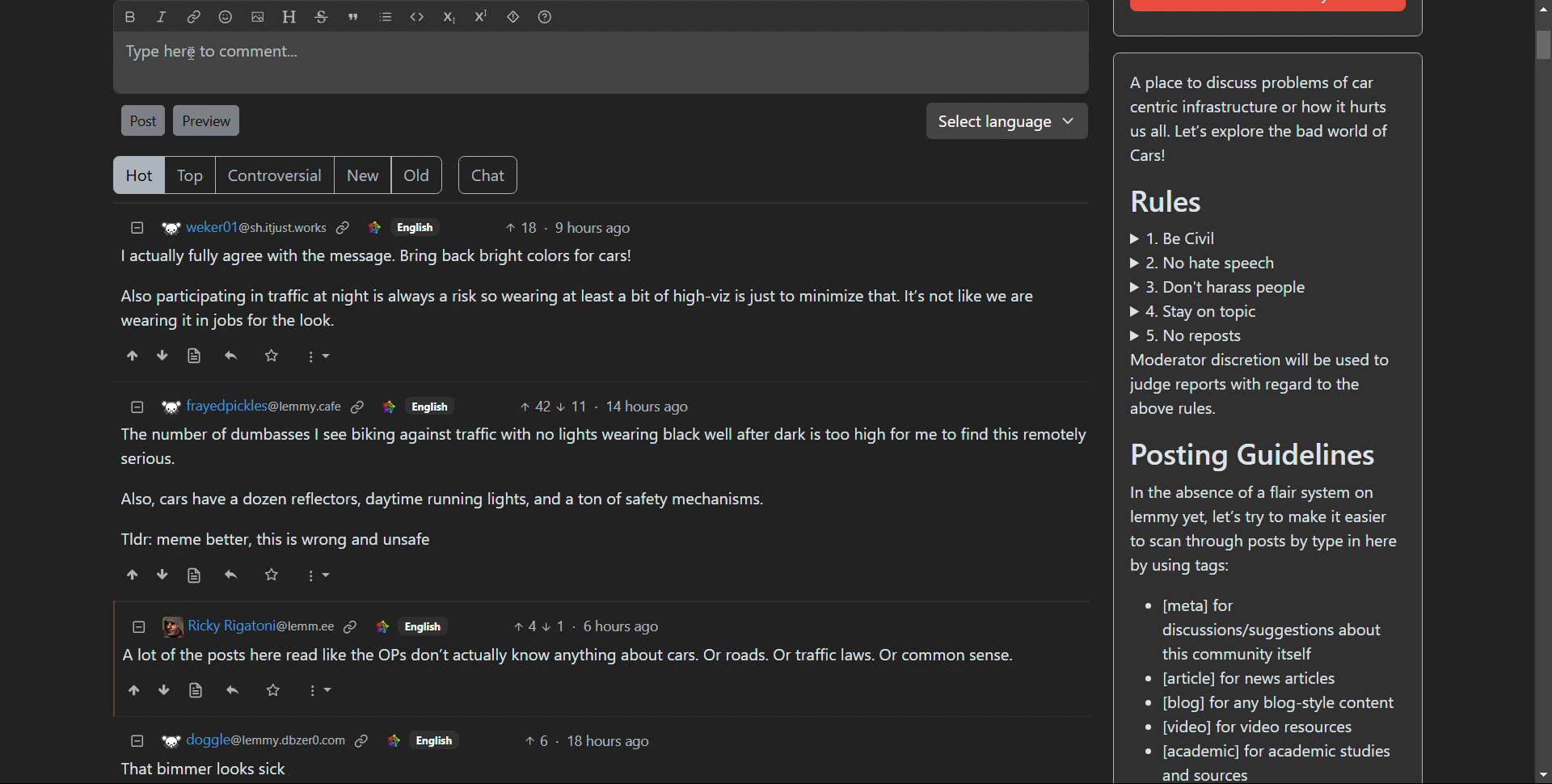  Describe the element at coordinates (415, 175) in the screenshot. I see `old` at that location.